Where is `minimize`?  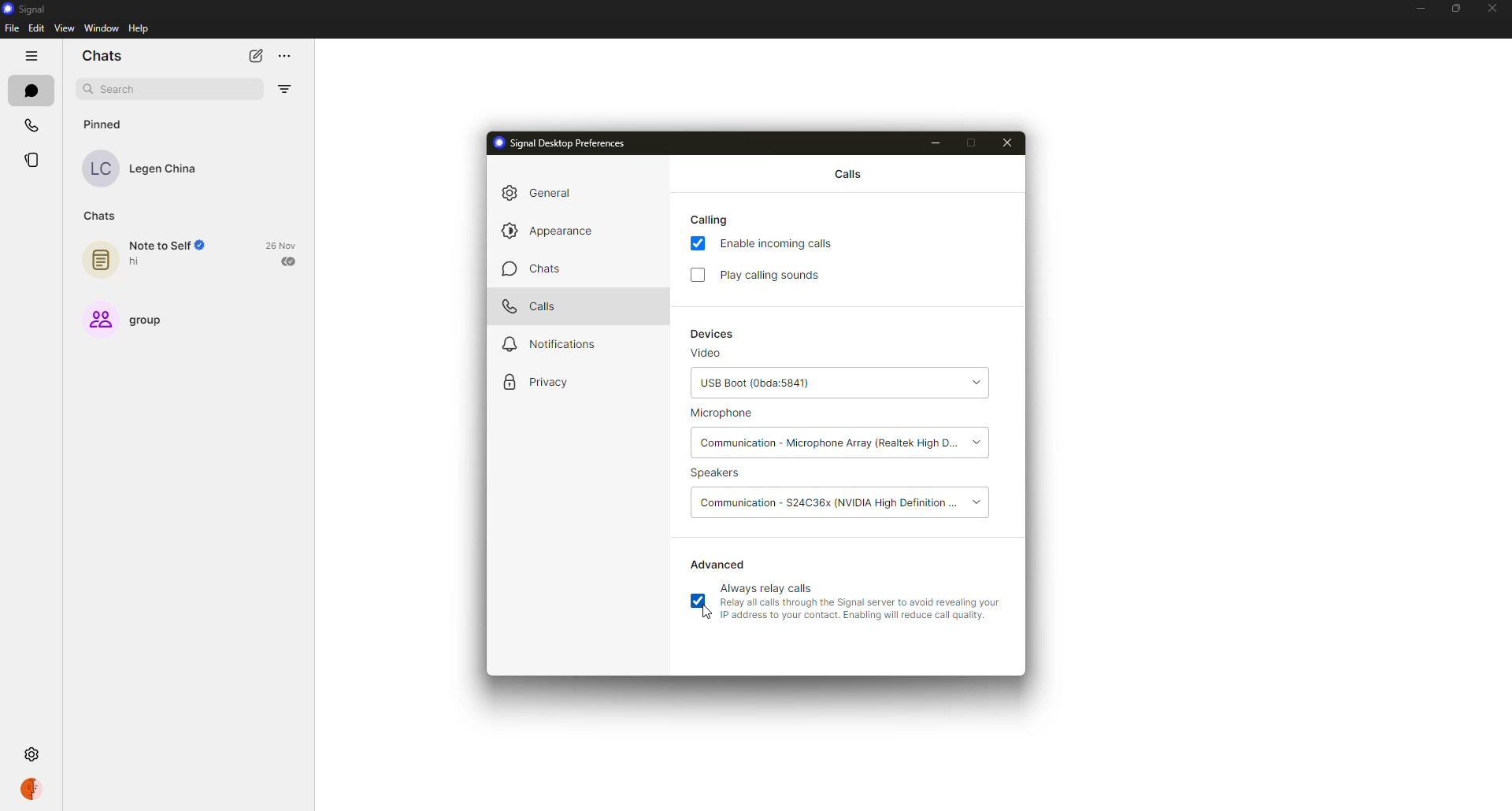 minimize is located at coordinates (933, 143).